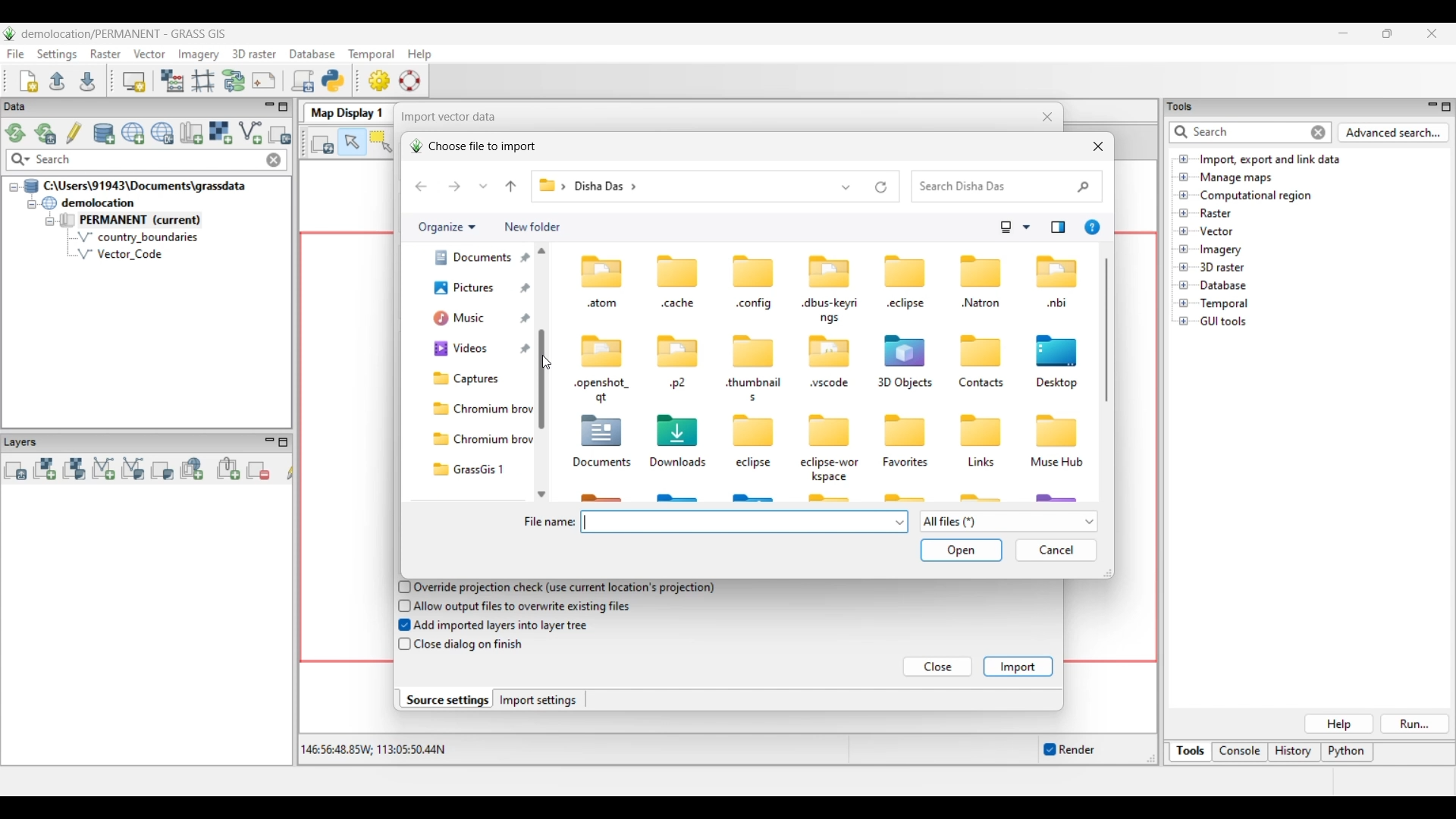  Describe the element at coordinates (203, 81) in the screenshot. I see `Georectifier` at that location.